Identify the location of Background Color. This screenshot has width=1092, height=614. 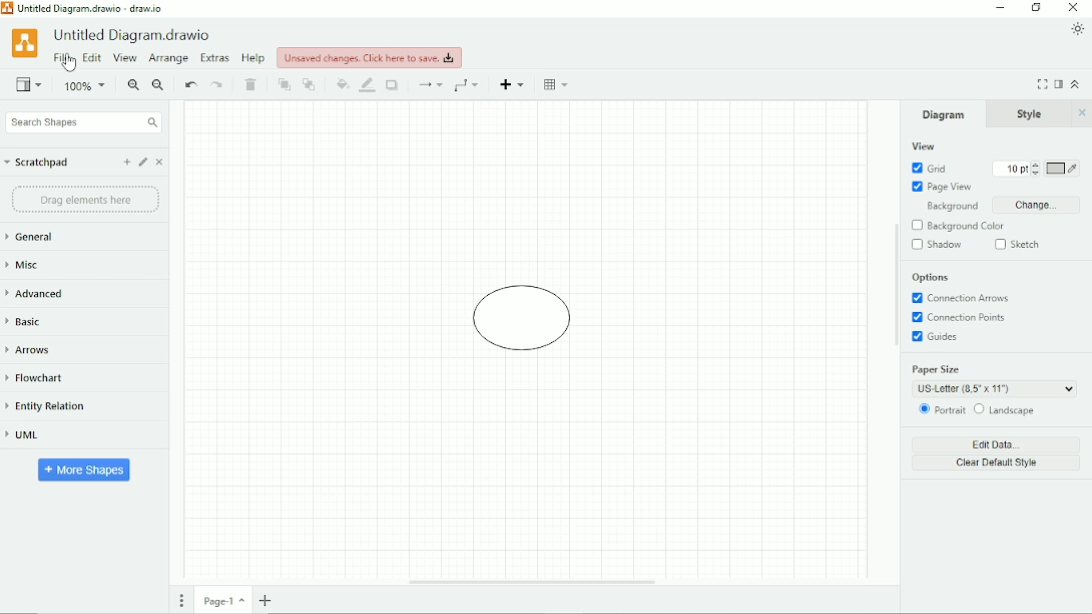
(957, 226).